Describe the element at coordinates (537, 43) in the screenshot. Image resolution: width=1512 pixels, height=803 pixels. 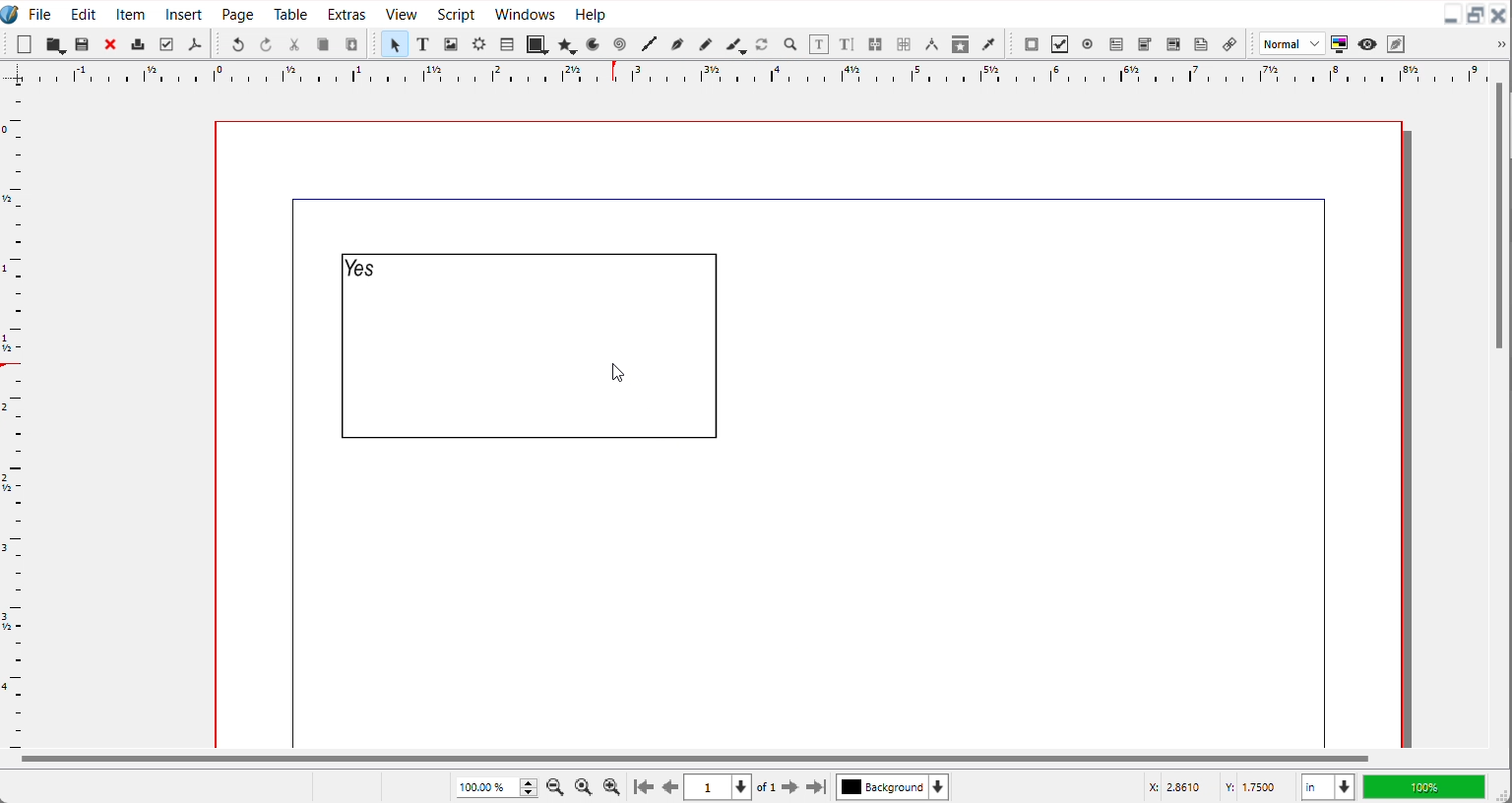
I see `Shape` at that location.